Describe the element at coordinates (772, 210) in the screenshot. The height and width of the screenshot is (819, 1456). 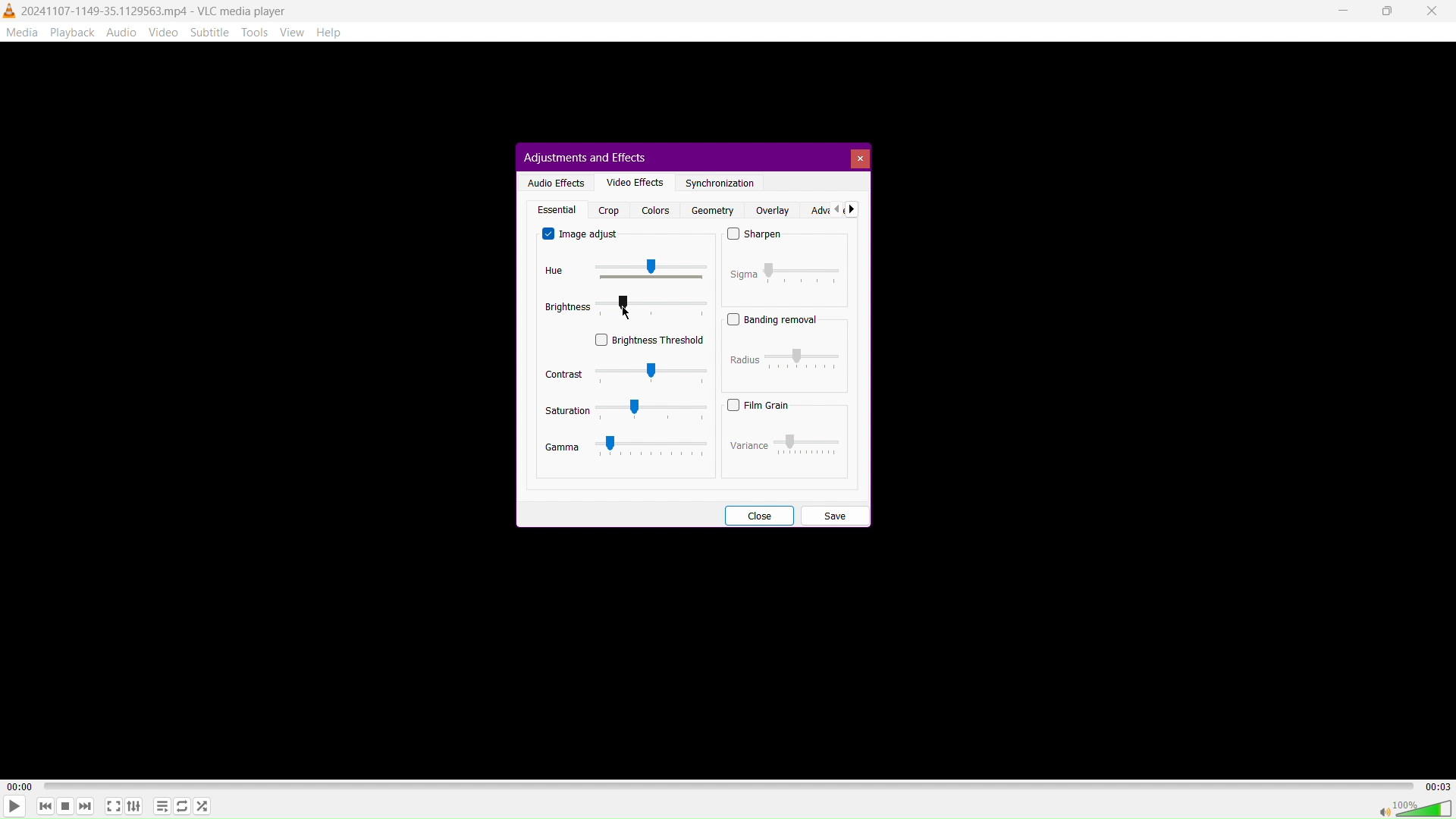
I see `Overlay` at that location.